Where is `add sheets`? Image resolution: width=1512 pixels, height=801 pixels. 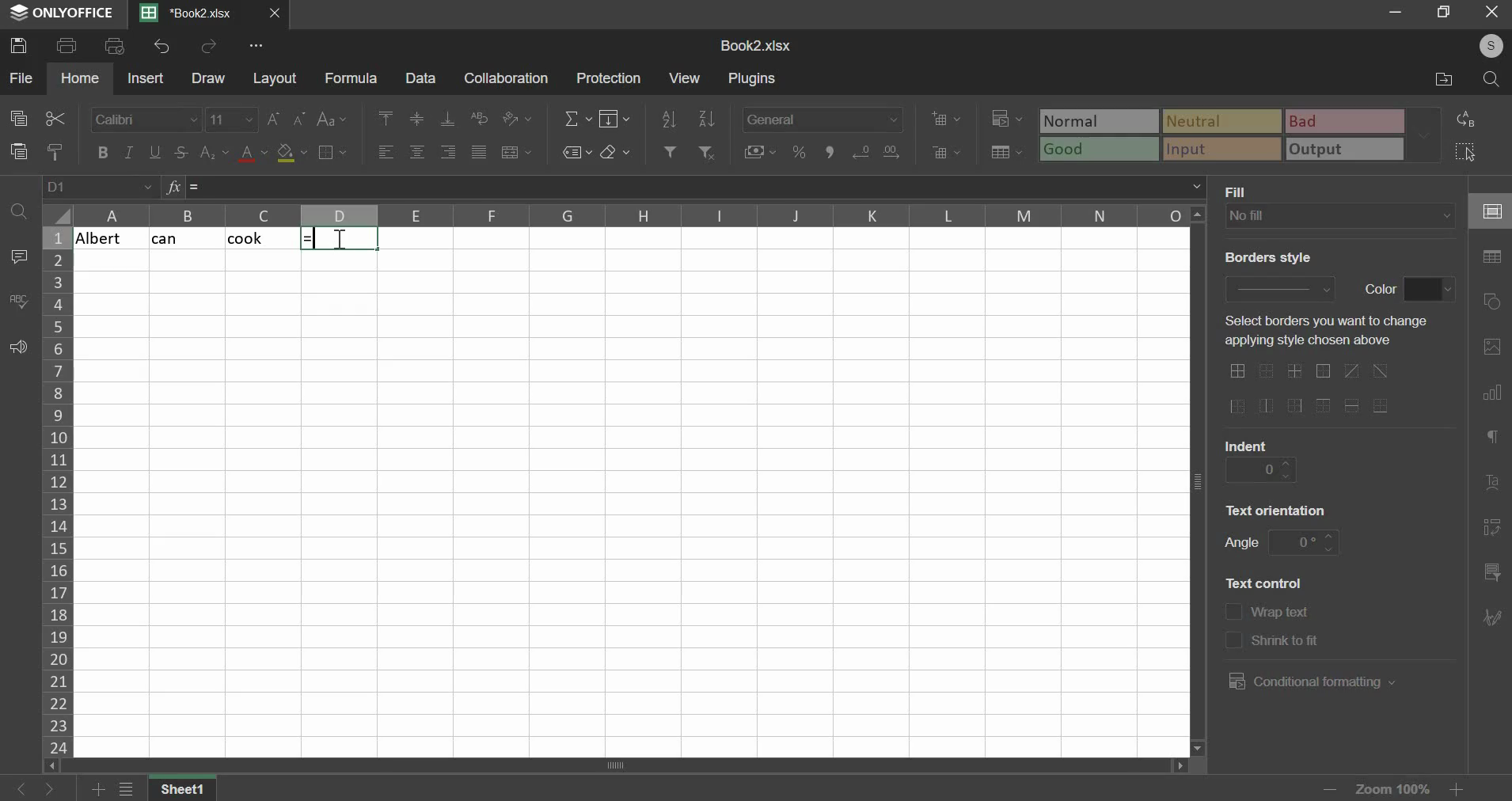 add sheets is located at coordinates (98, 790).